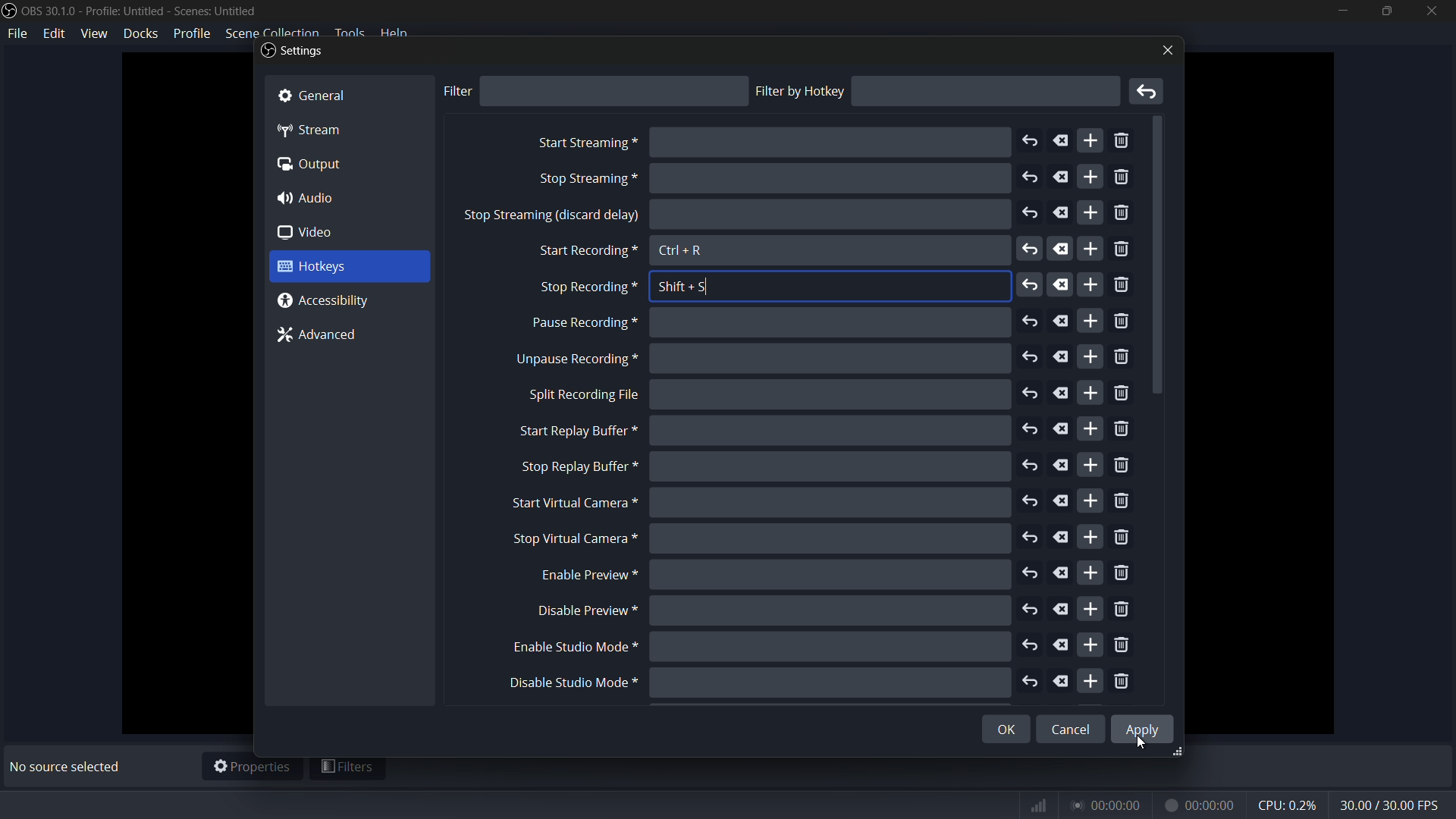  What do you see at coordinates (327, 93) in the screenshot?
I see `& General` at bounding box center [327, 93].